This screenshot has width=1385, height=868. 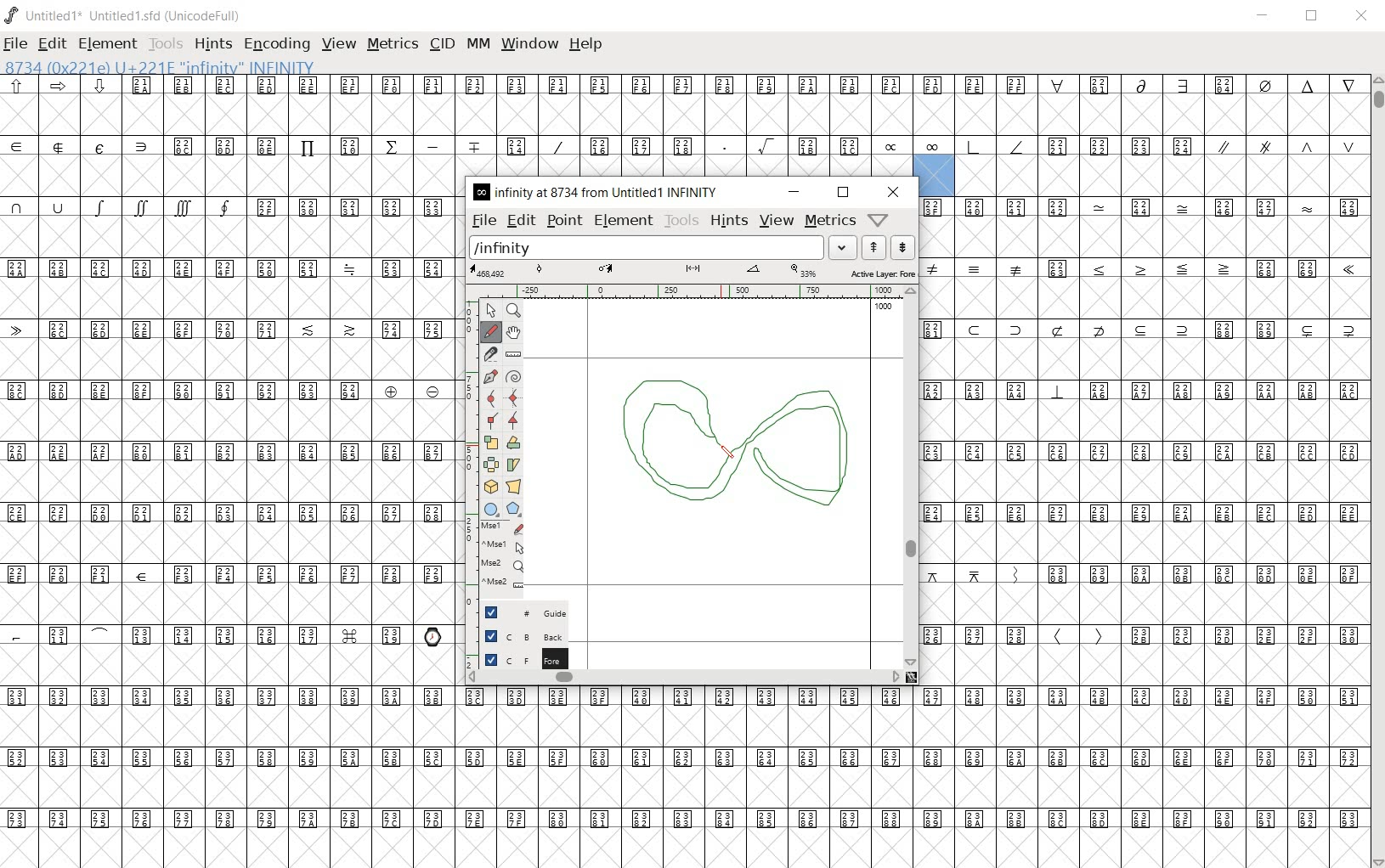 I want to click on Unicode code points, so click(x=982, y=635).